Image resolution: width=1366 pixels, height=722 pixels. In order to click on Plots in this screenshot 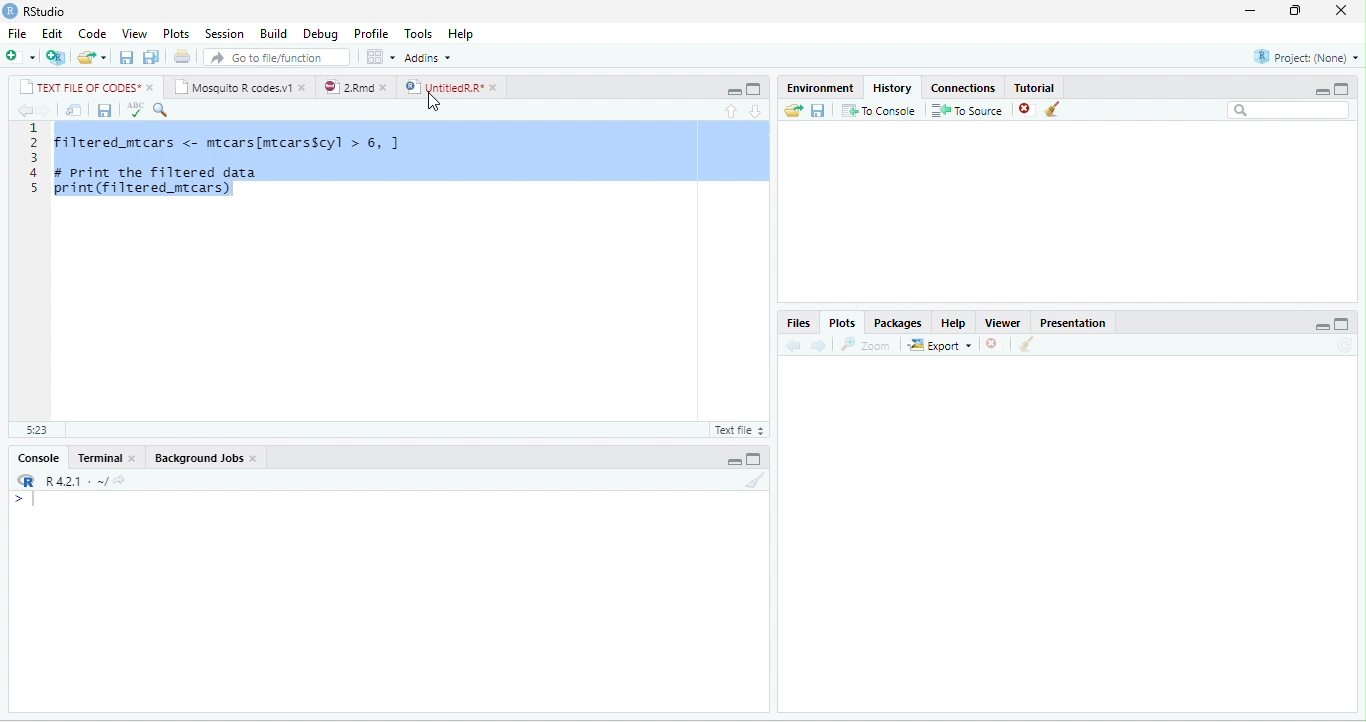, I will do `click(176, 34)`.